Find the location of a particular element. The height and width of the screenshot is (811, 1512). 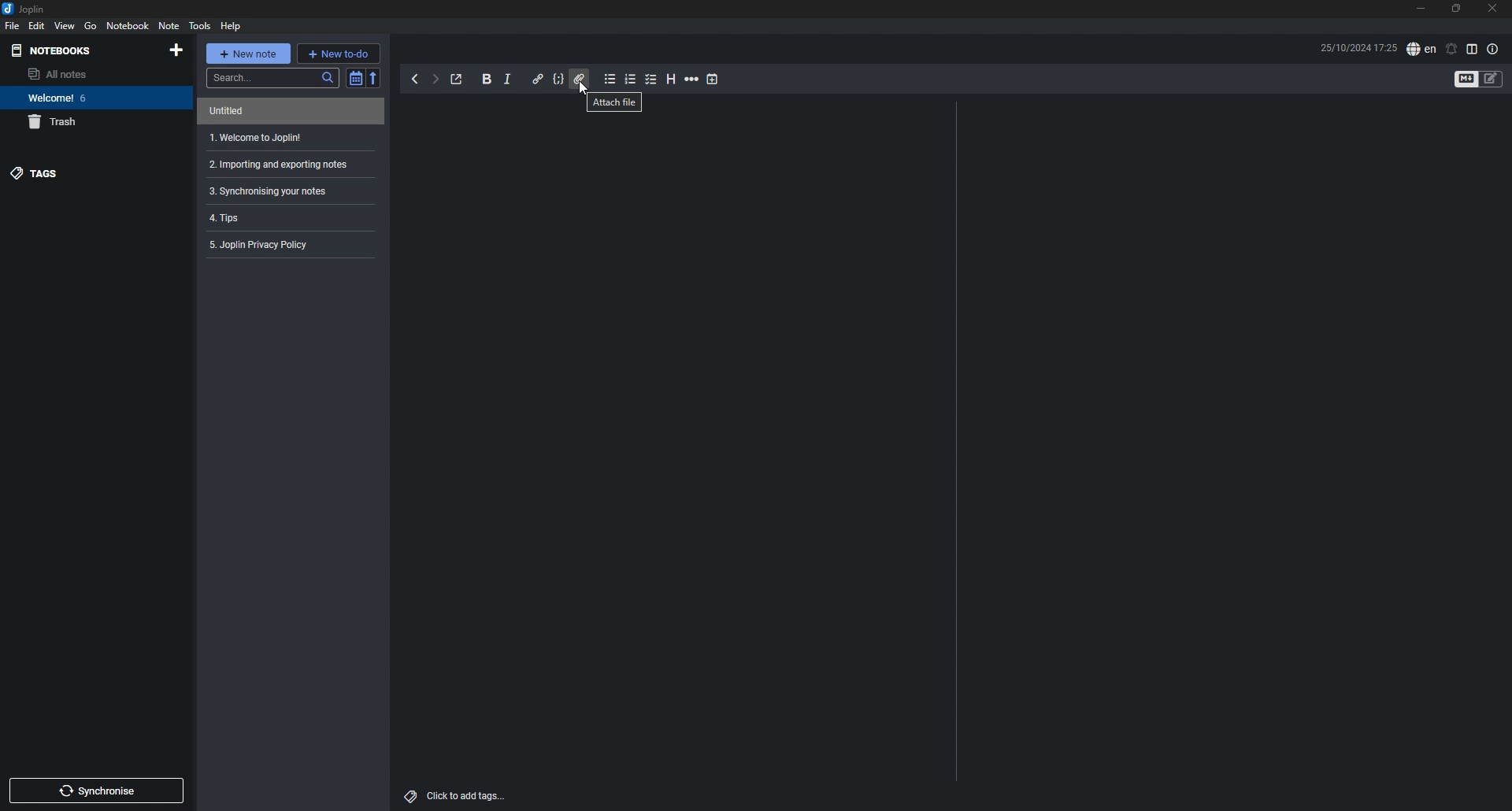

2. Importing and exporting notes is located at coordinates (287, 164).